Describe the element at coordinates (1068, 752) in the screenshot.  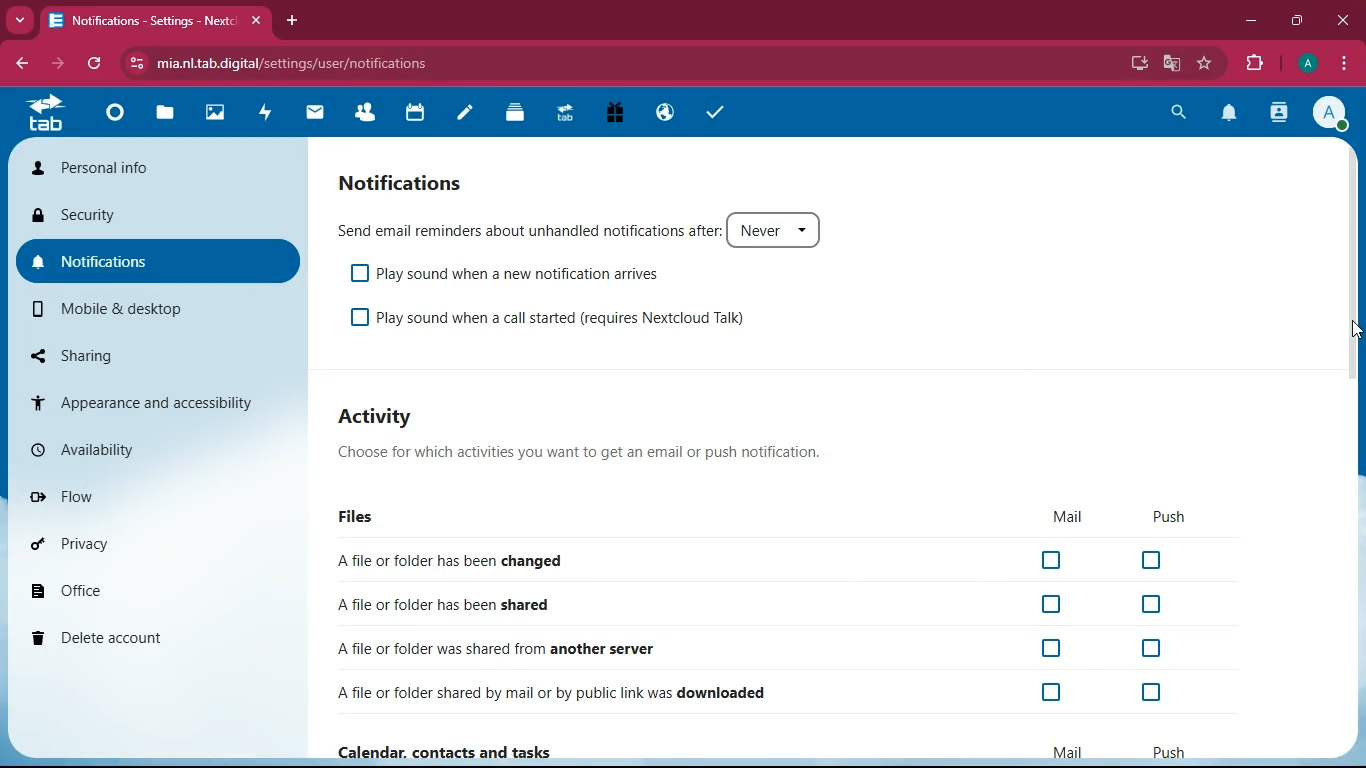
I see `Mail` at that location.